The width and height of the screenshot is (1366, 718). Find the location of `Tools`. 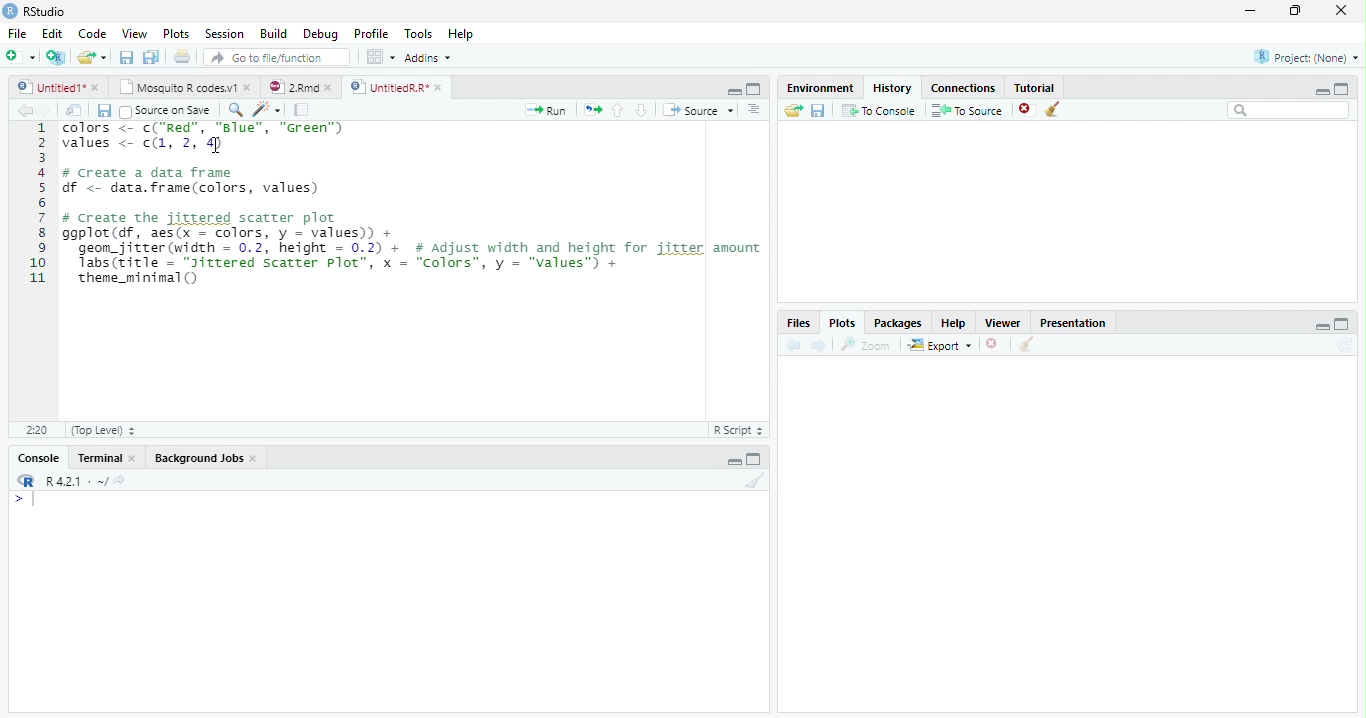

Tools is located at coordinates (418, 33).